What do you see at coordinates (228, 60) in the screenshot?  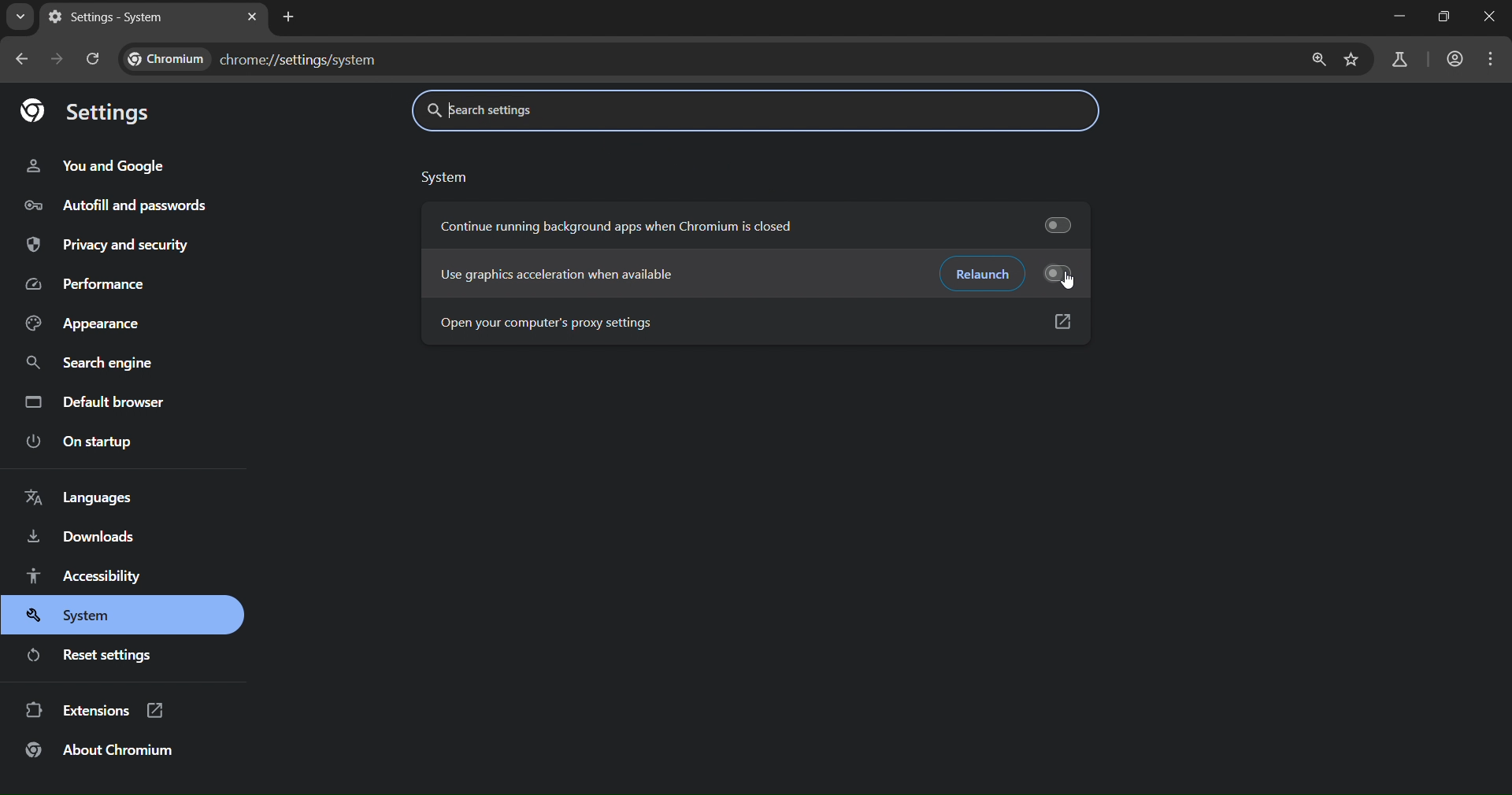 I see `chrome://settings/system` at bounding box center [228, 60].